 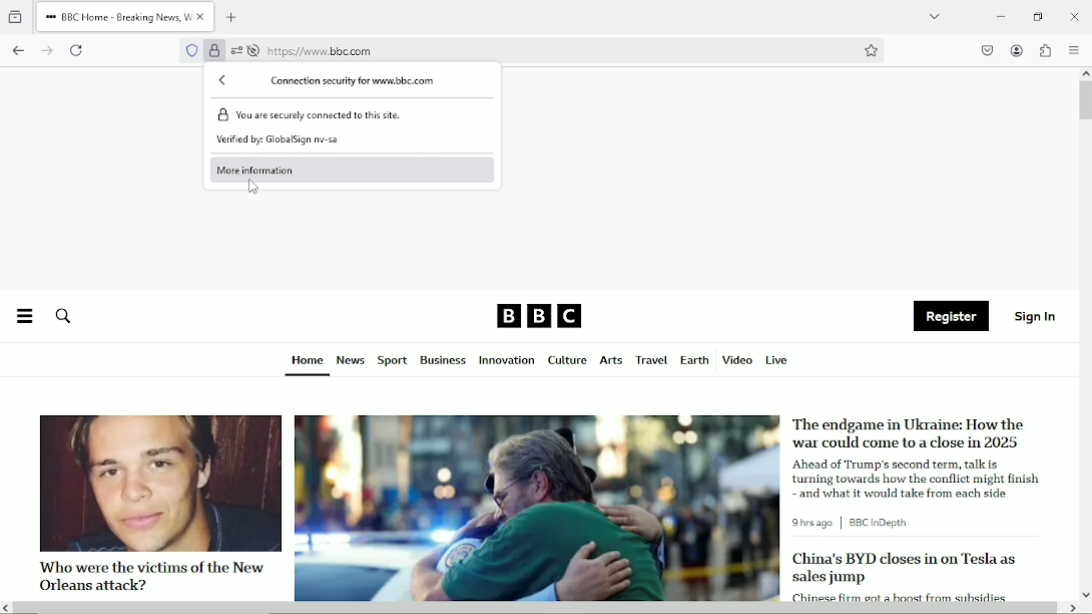 I want to click on Live, so click(x=777, y=359).